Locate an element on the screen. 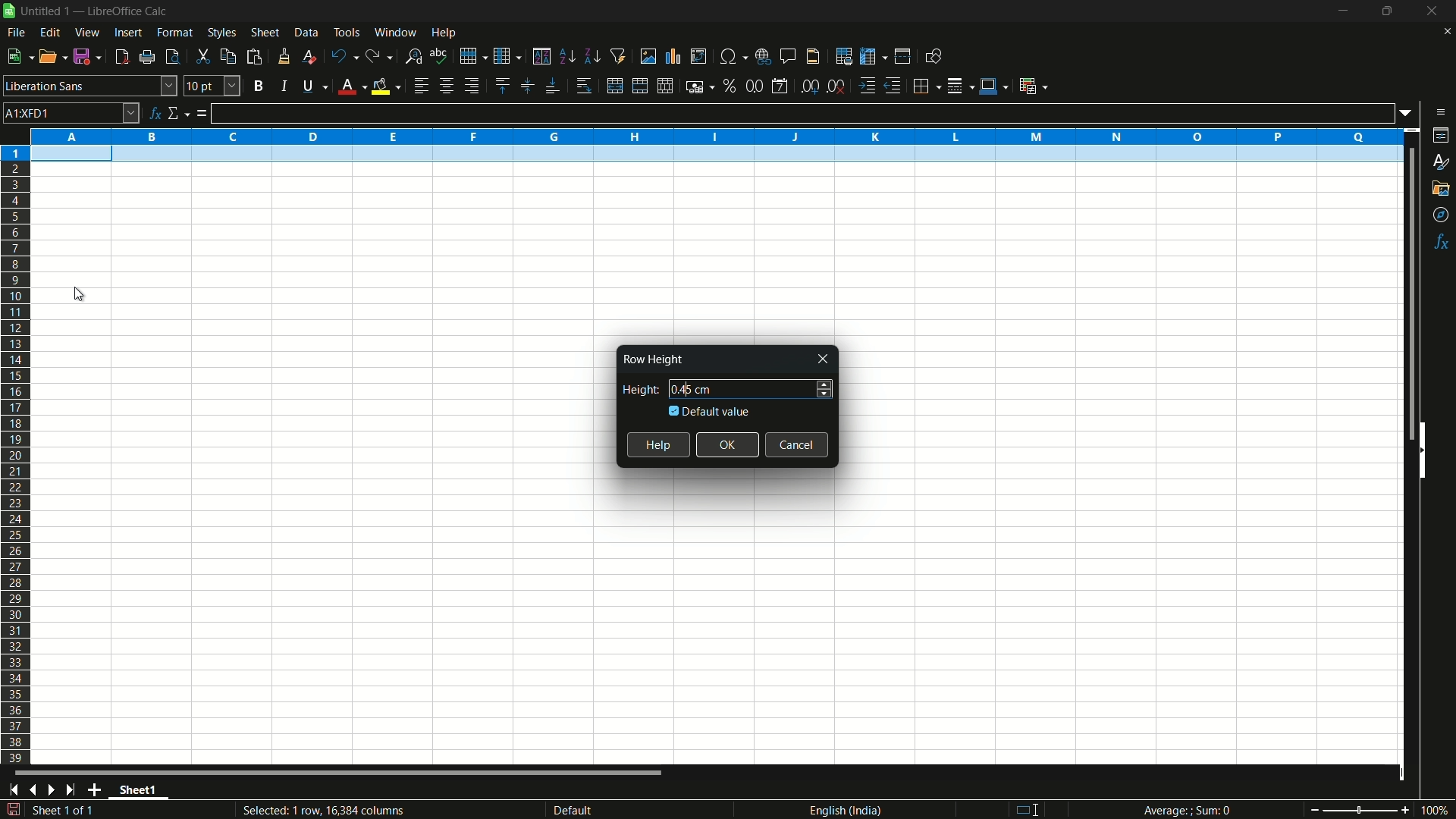  print is located at coordinates (147, 58).